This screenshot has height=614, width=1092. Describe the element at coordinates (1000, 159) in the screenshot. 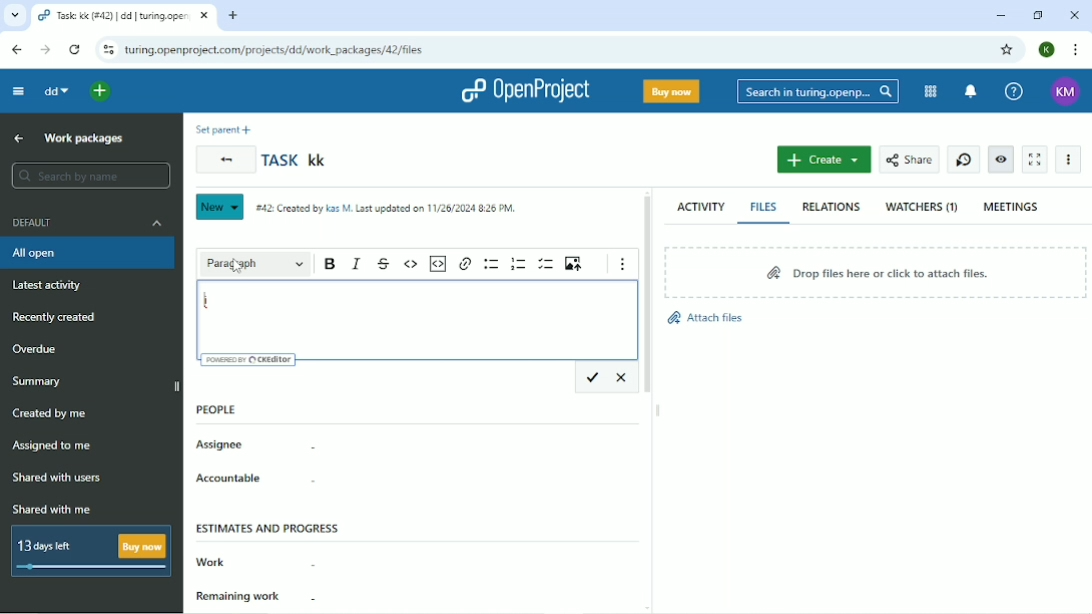

I see `Unwatch work package` at that location.